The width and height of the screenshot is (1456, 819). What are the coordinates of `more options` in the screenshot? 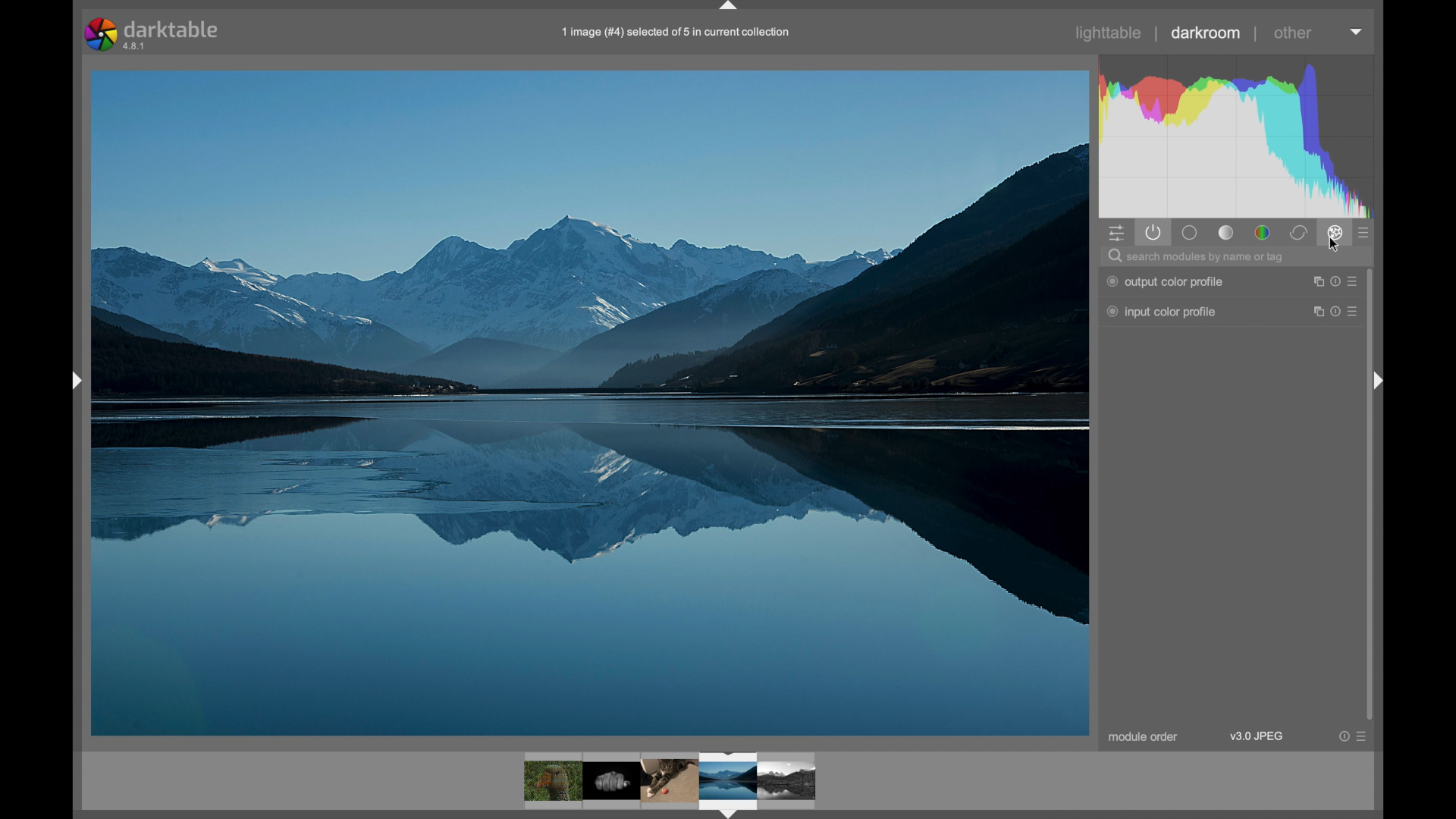 It's located at (1336, 282).